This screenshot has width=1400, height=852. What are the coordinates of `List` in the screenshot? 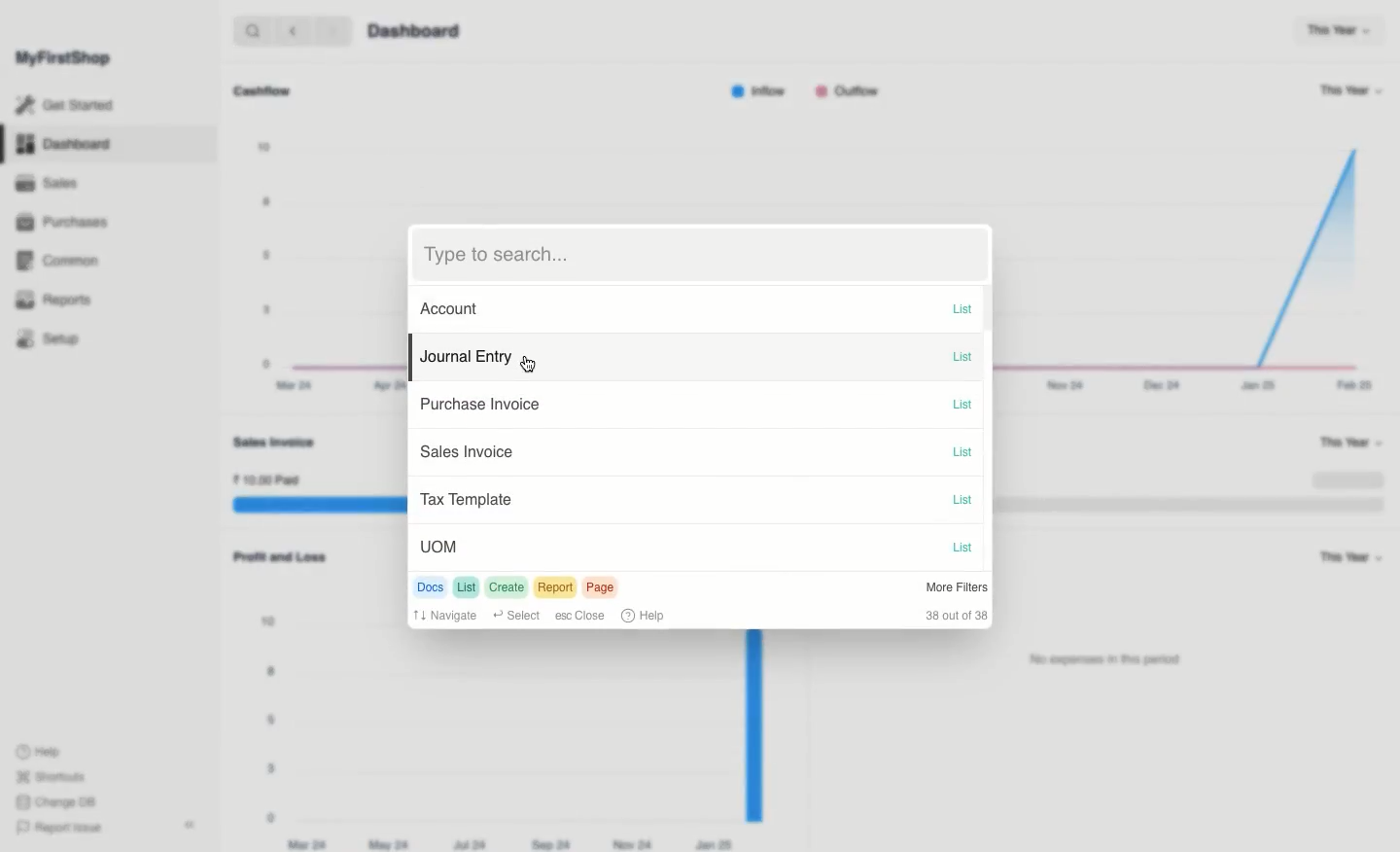 It's located at (962, 405).